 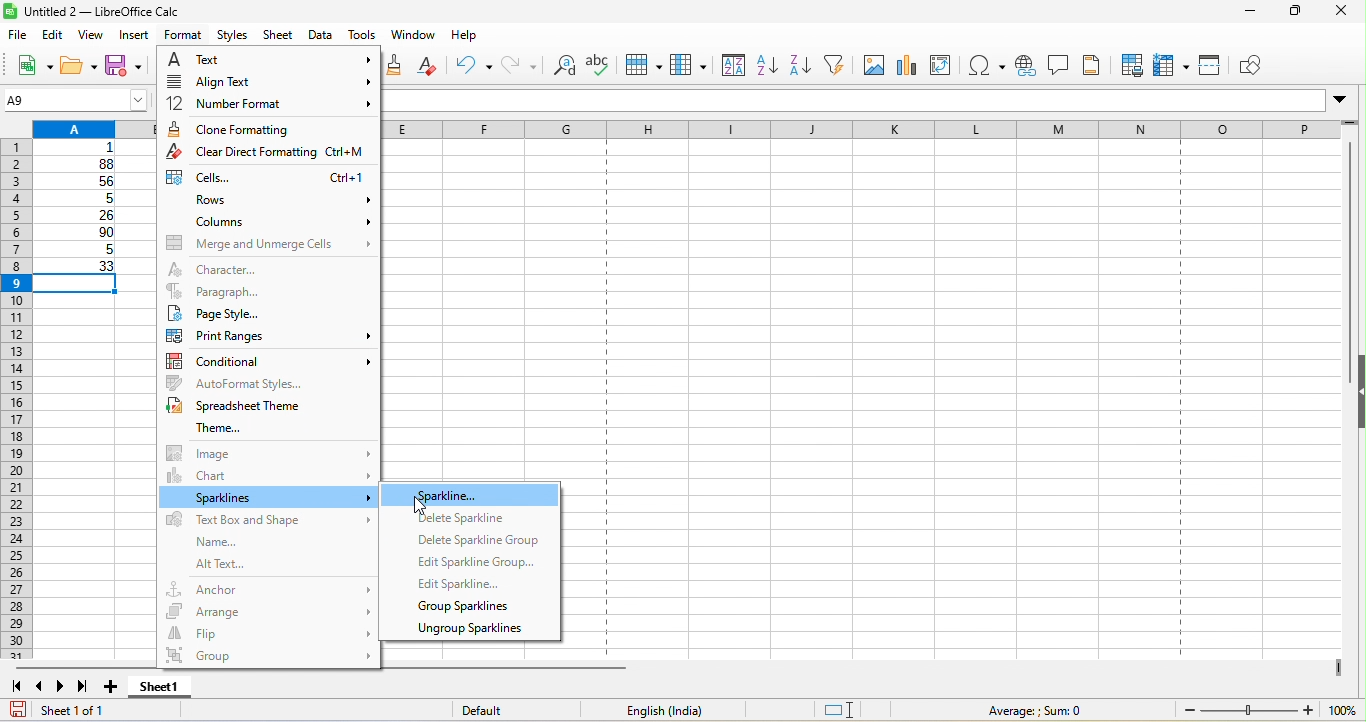 I want to click on save document, so click(x=18, y=709).